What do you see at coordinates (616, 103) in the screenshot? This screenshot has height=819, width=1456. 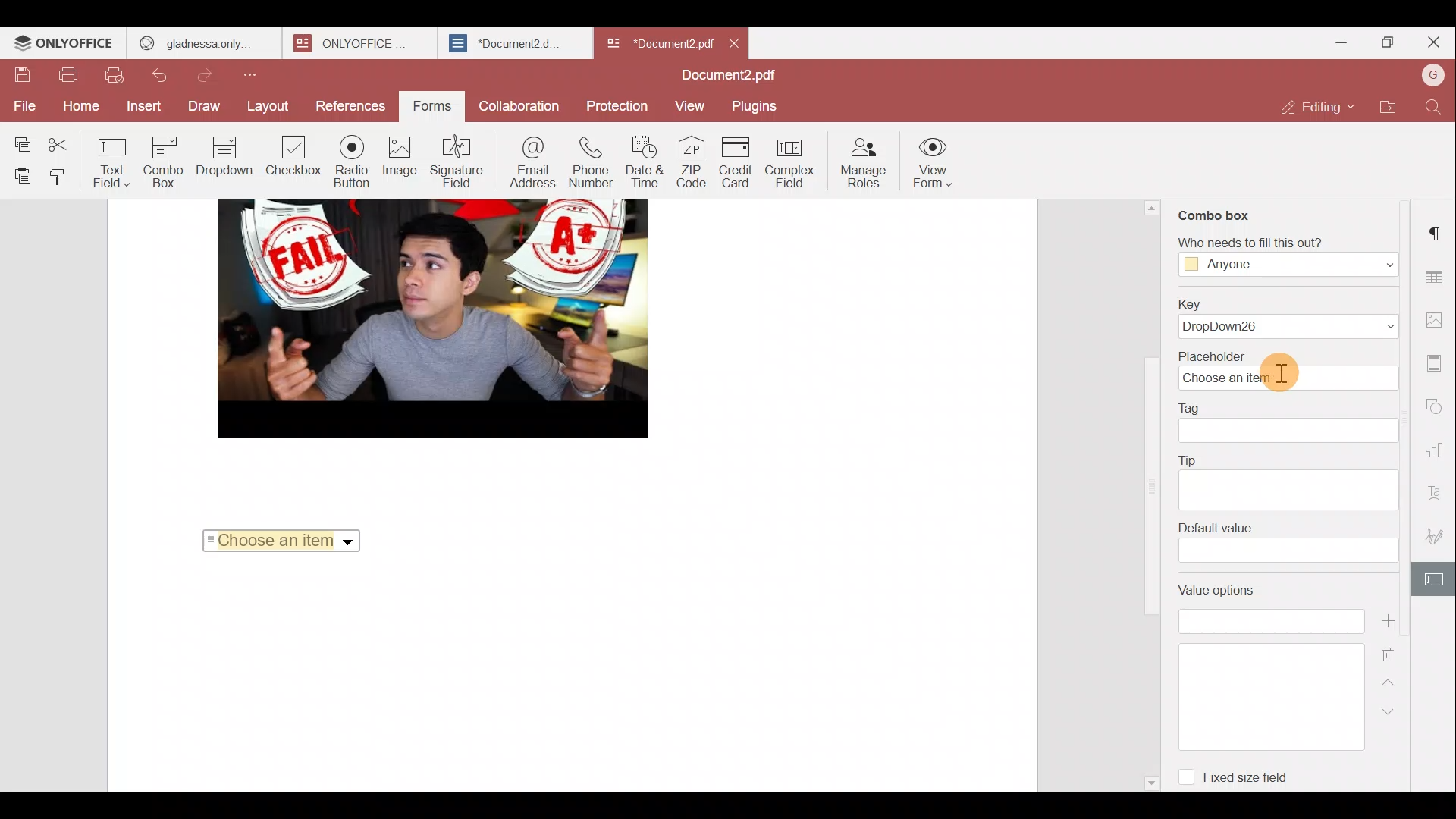 I see `Protection` at bounding box center [616, 103].